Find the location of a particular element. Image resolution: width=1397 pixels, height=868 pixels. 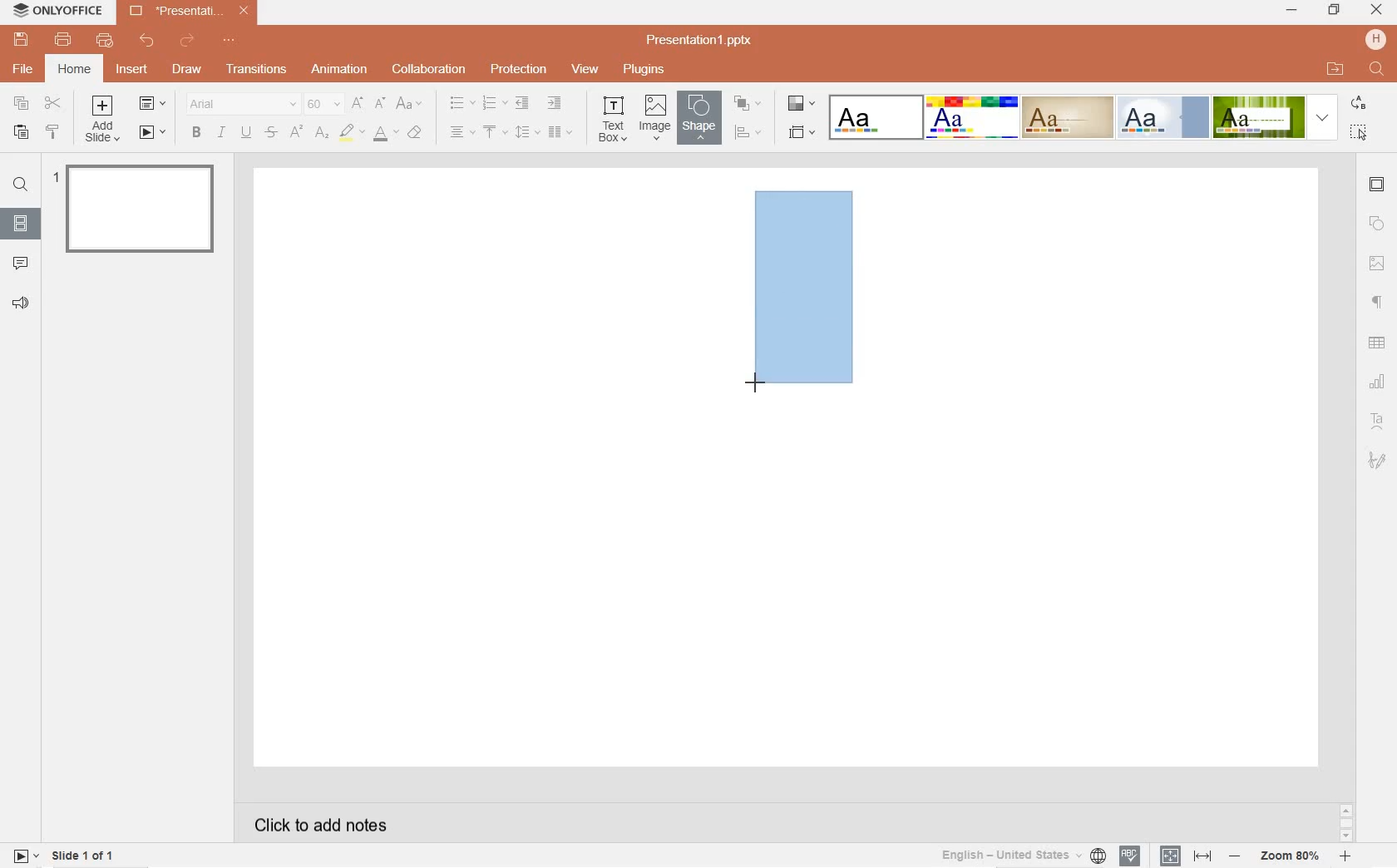

copy style is located at coordinates (54, 134).